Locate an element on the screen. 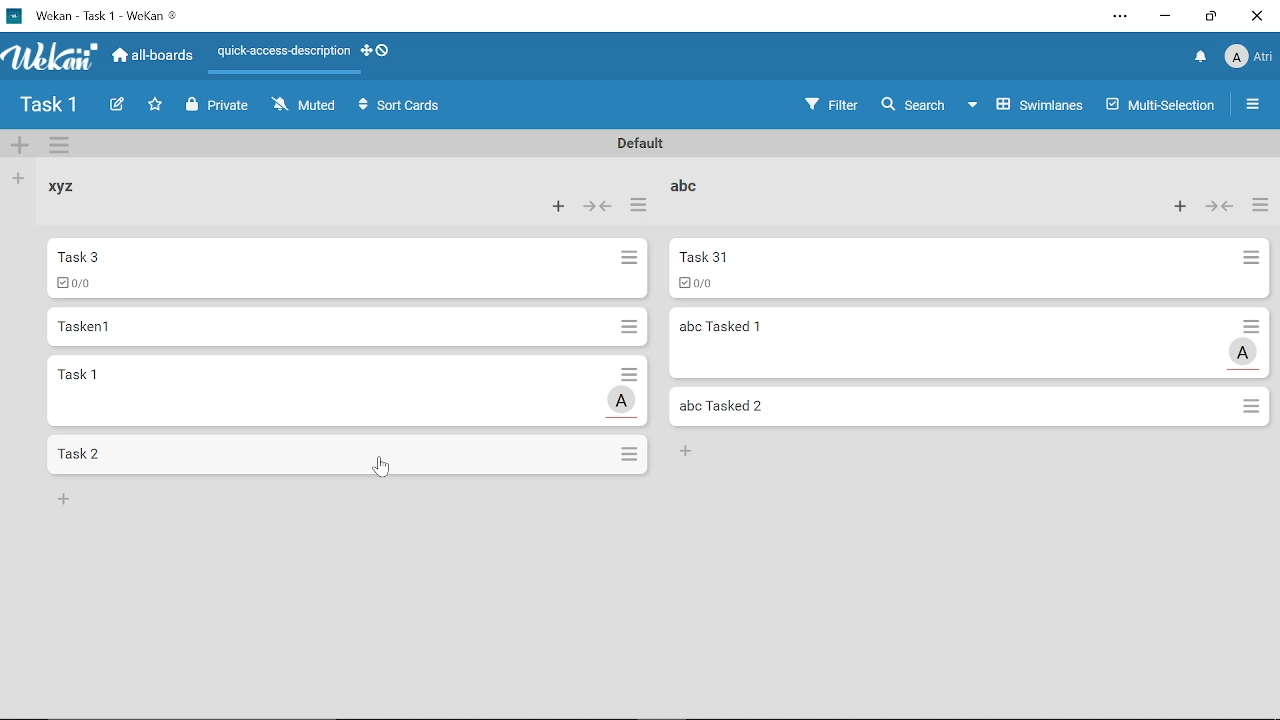 This screenshot has width=1280, height=720.  is located at coordinates (629, 454).